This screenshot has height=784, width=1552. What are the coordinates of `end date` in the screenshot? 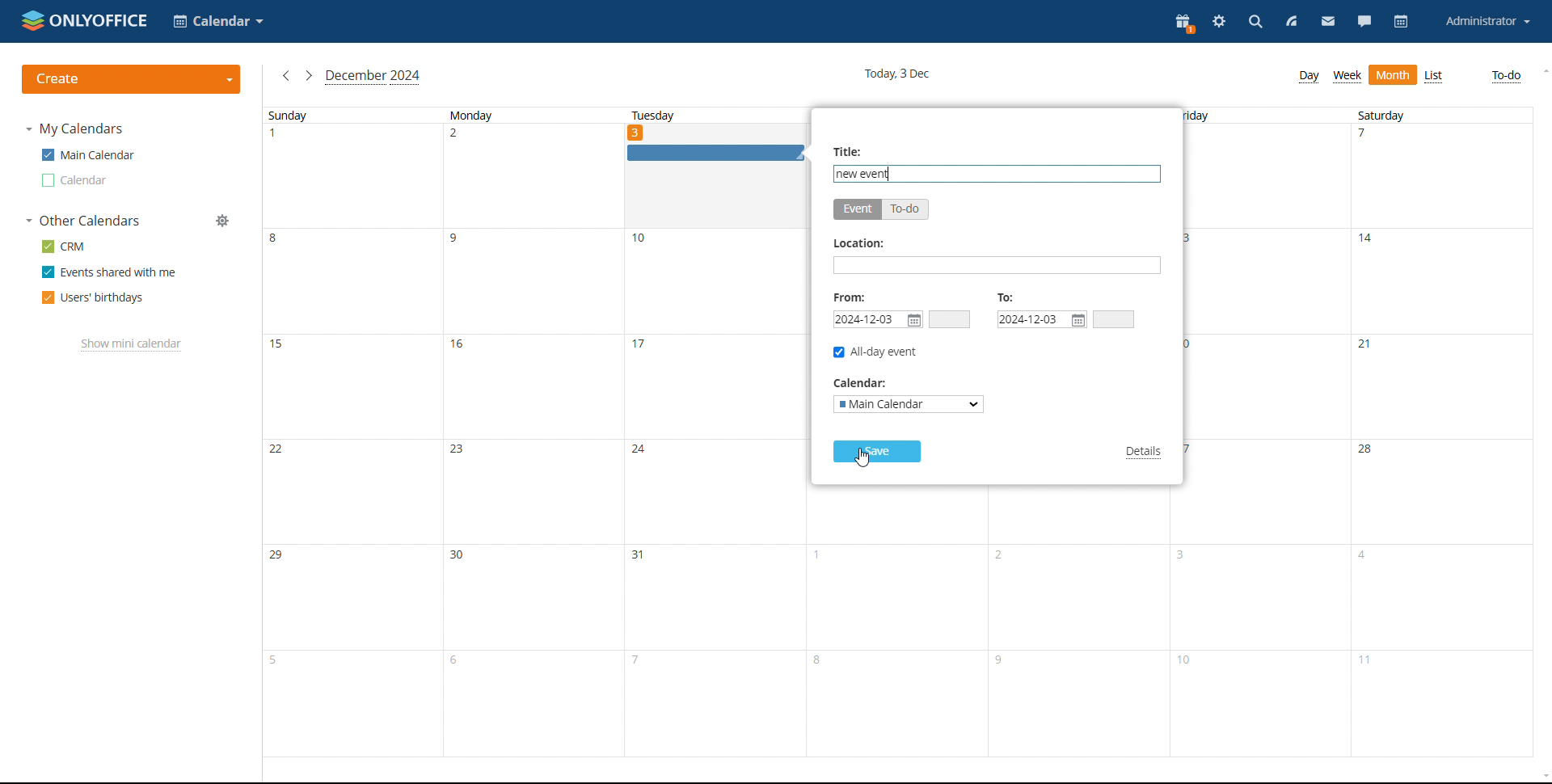 It's located at (1043, 318).